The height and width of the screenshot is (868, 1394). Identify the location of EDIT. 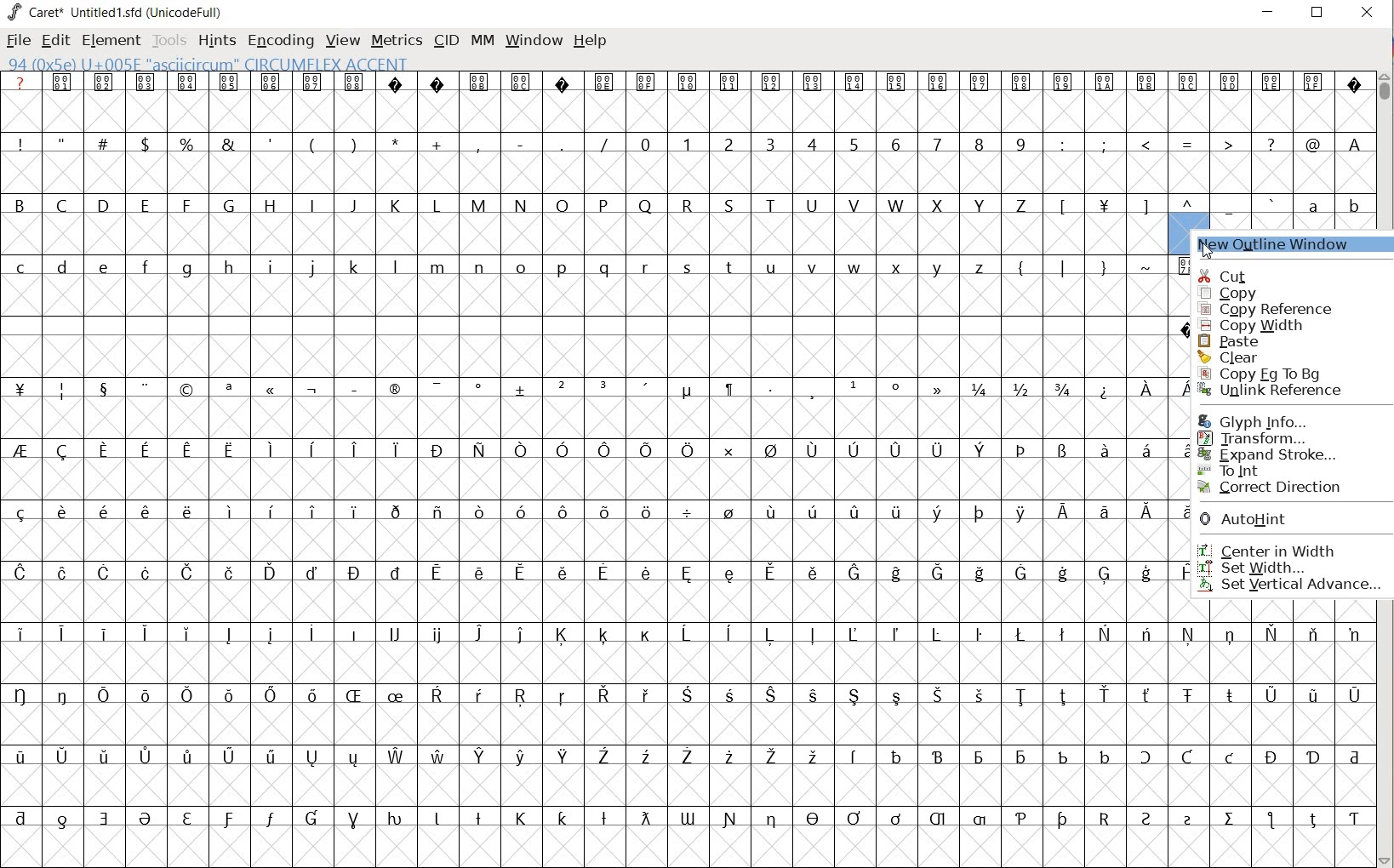
(57, 41).